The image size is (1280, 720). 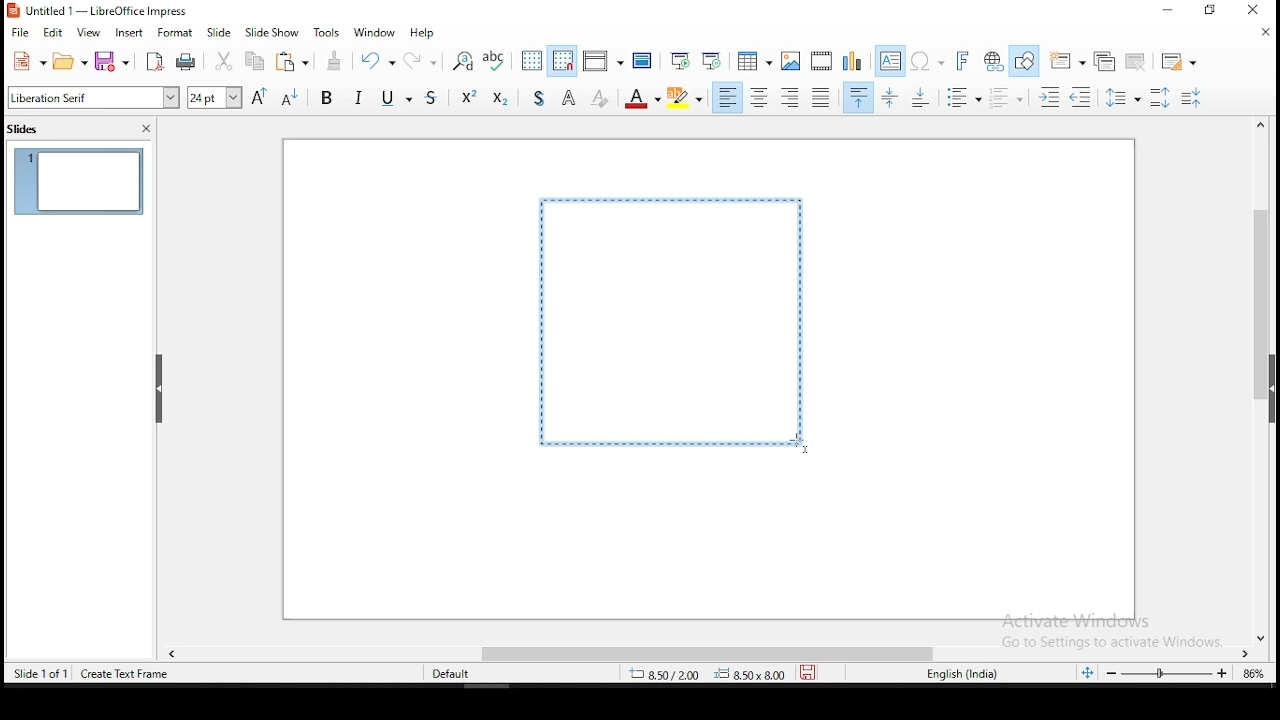 I want to click on close window, so click(x=1256, y=12).